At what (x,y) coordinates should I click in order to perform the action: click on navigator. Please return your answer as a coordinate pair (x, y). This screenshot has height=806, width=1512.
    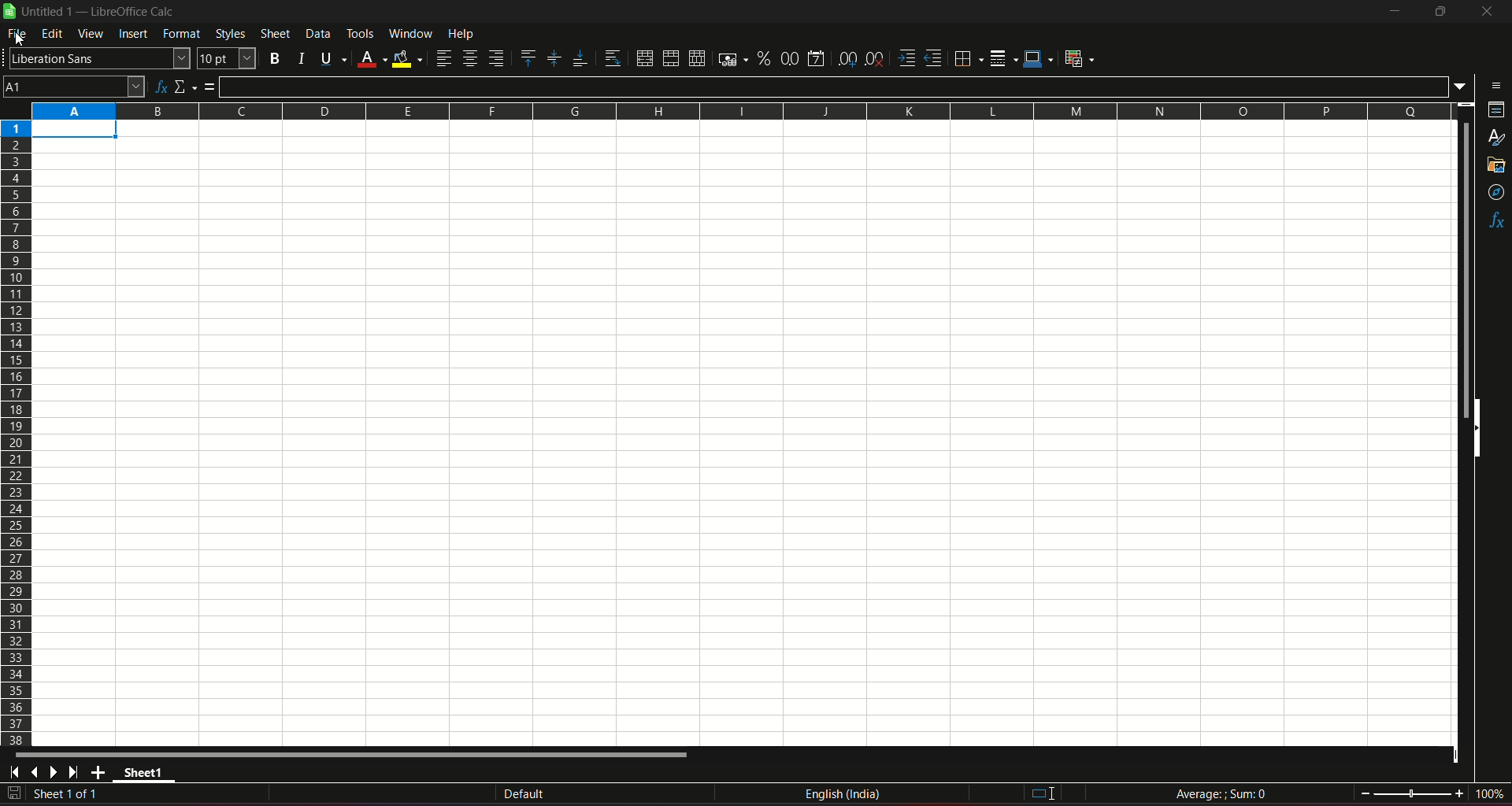
    Looking at the image, I should click on (1495, 192).